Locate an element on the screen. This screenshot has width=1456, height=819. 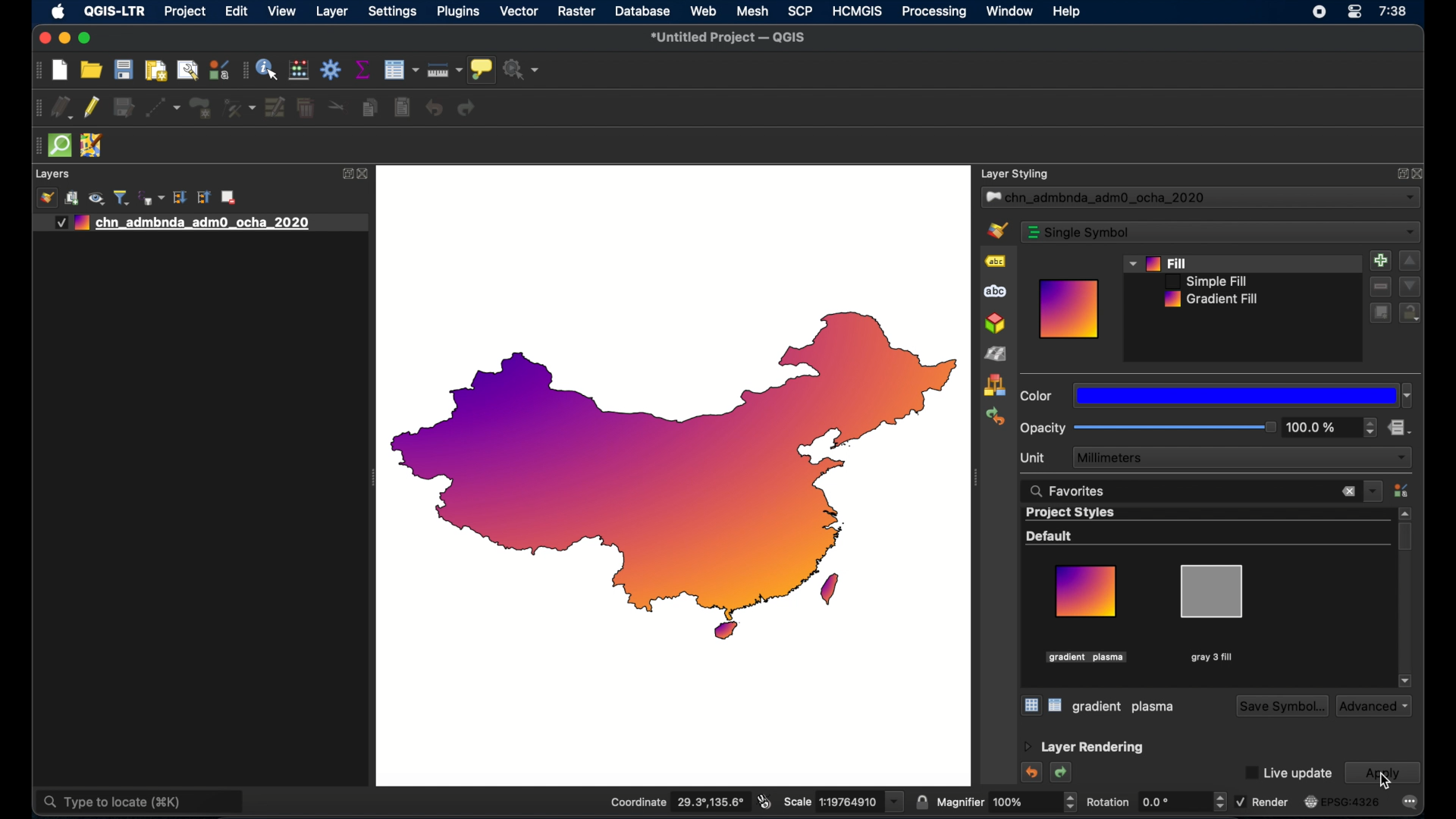
screen recorder icon is located at coordinates (1319, 12).